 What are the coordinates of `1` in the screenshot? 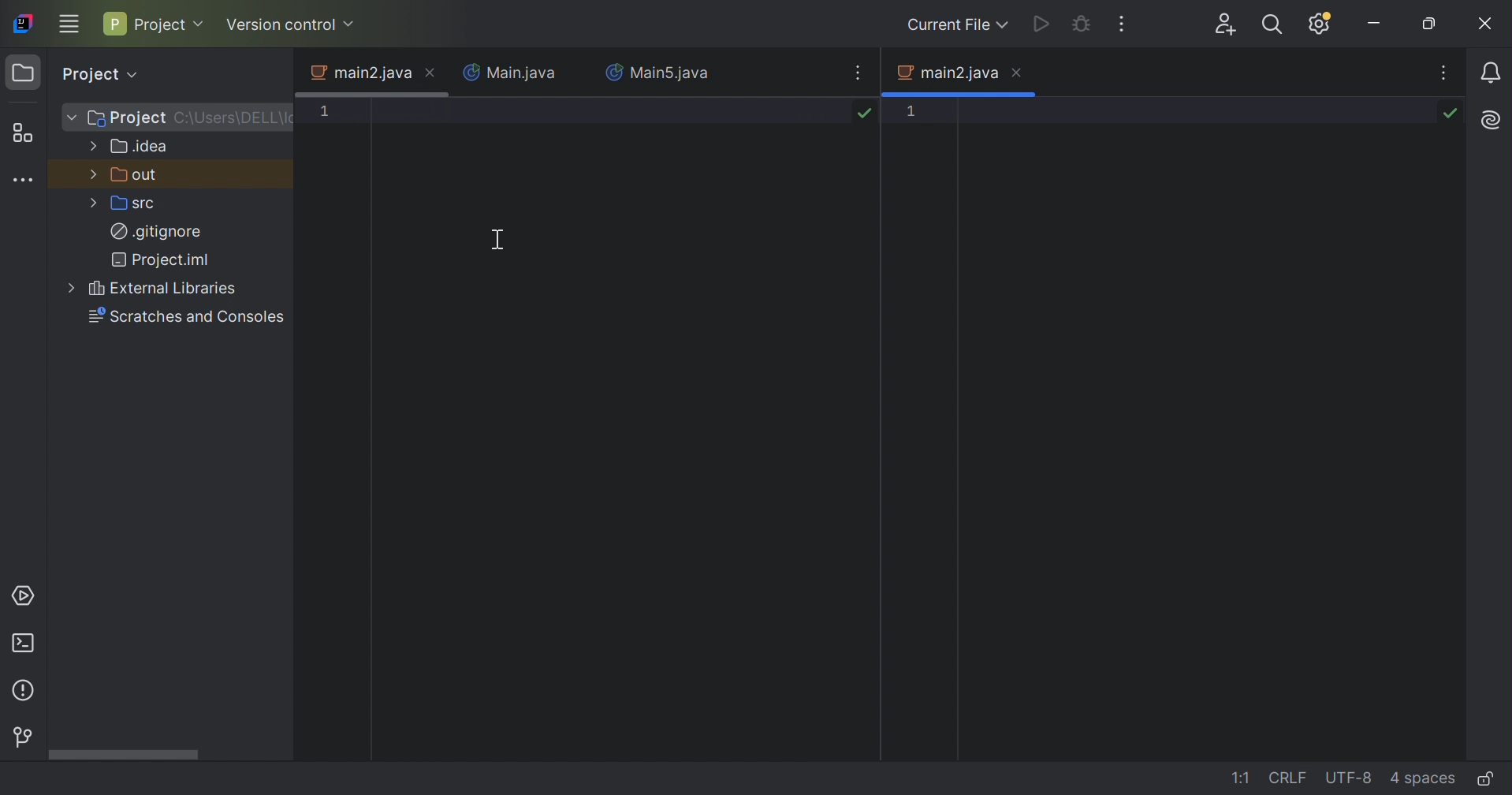 It's located at (927, 114).